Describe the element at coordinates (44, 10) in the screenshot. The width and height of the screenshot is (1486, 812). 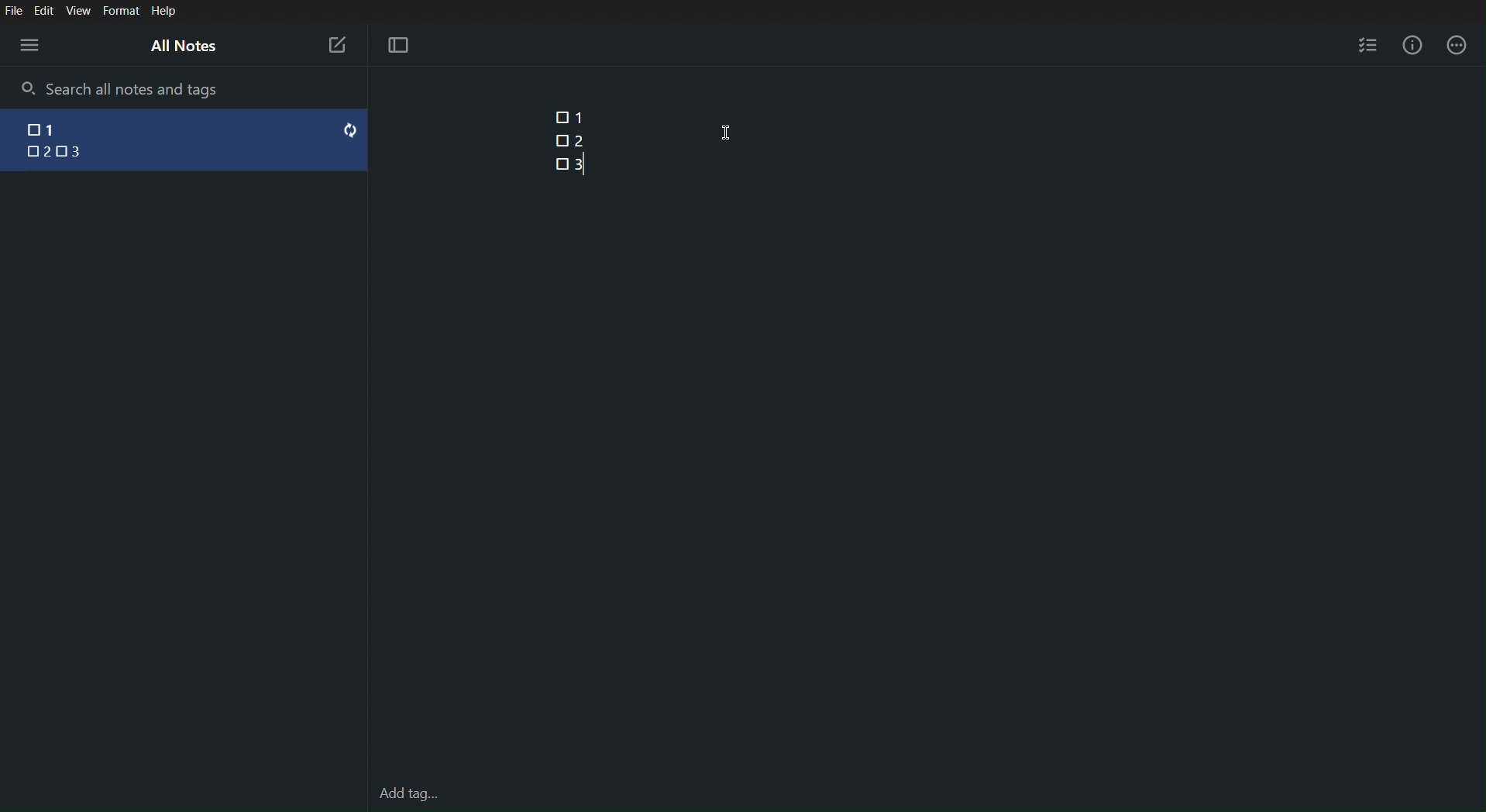
I see `Edit` at that location.